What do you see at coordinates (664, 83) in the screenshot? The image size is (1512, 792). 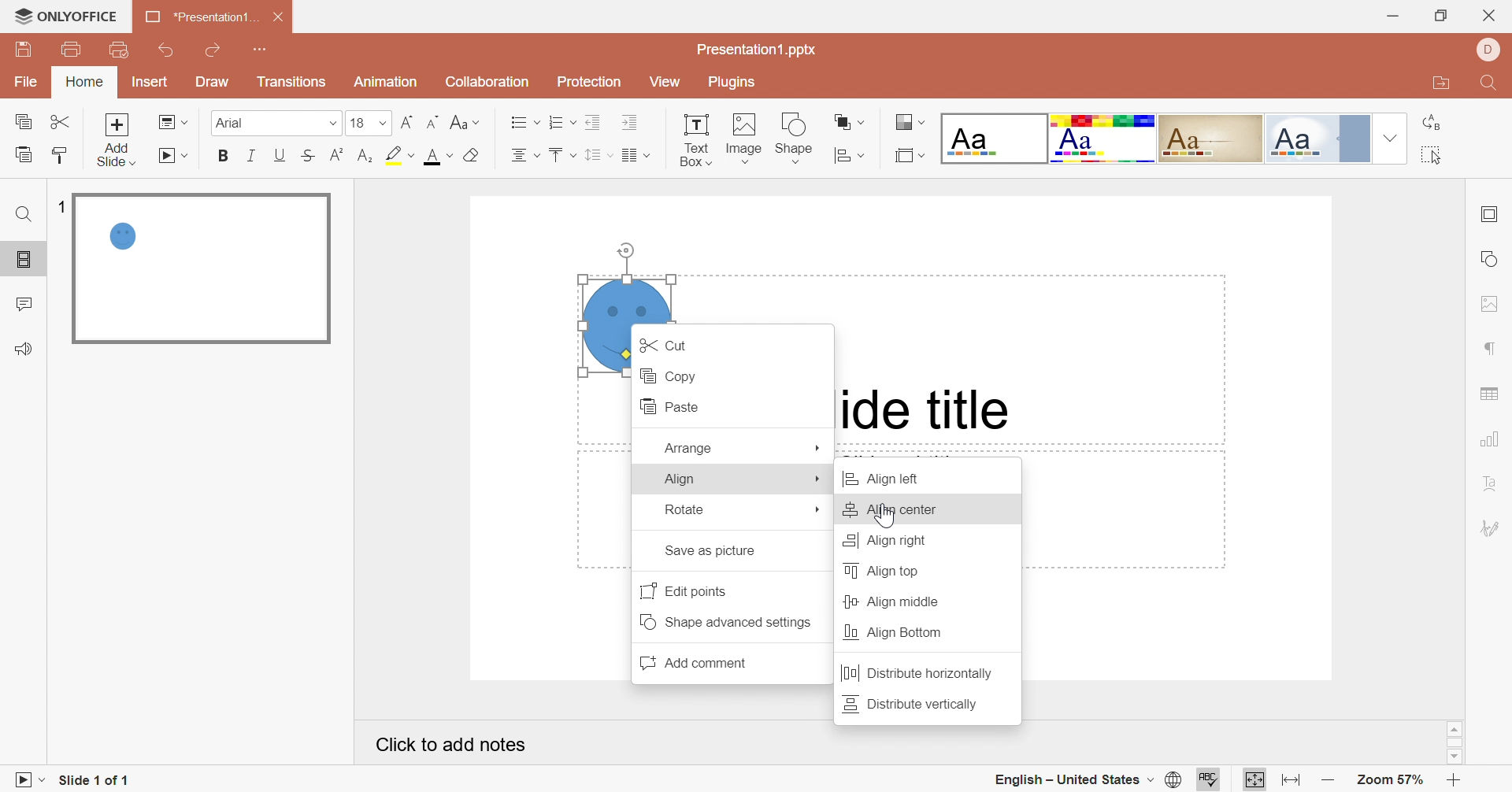 I see `View` at bounding box center [664, 83].